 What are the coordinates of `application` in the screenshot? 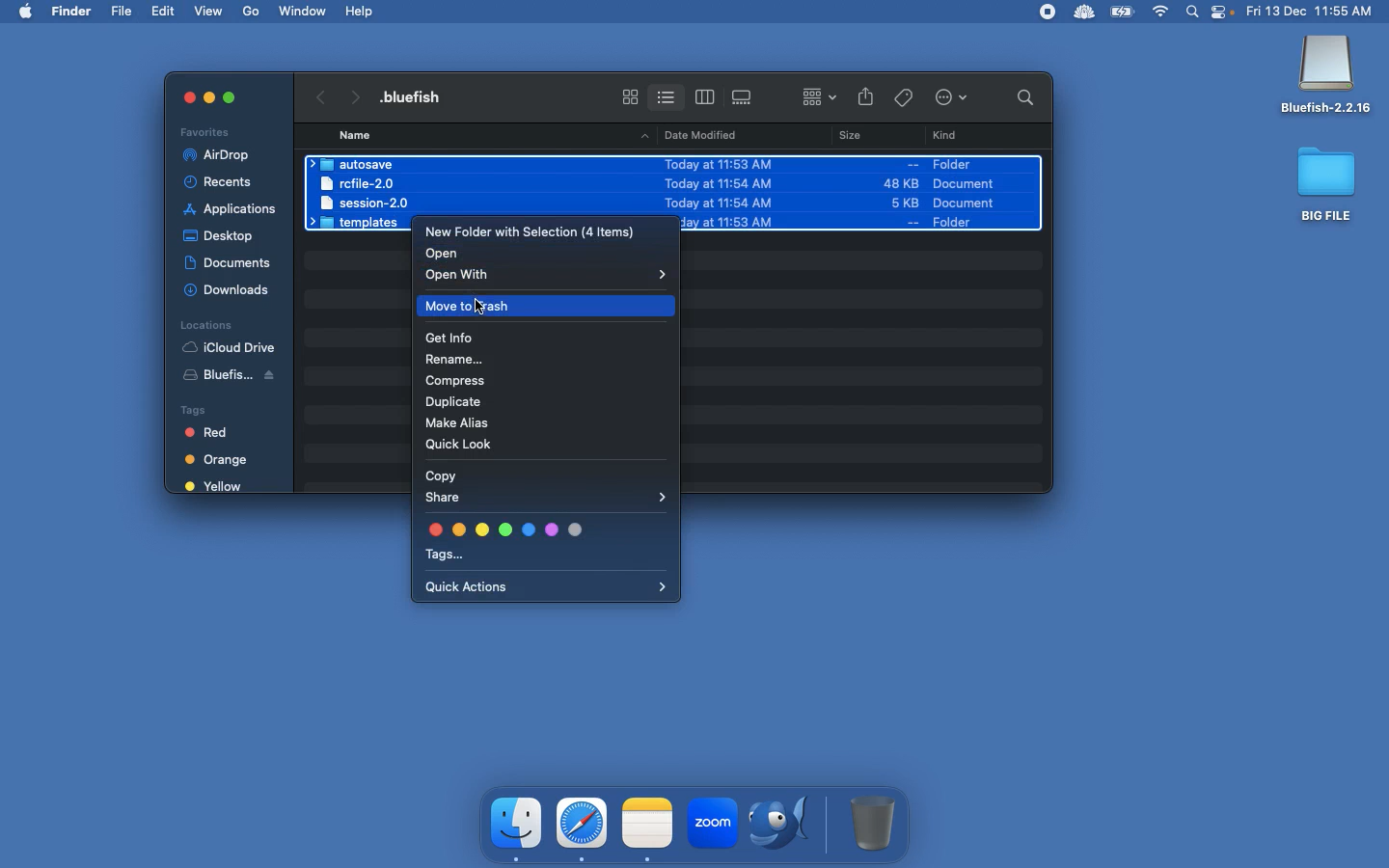 It's located at (231, 209).